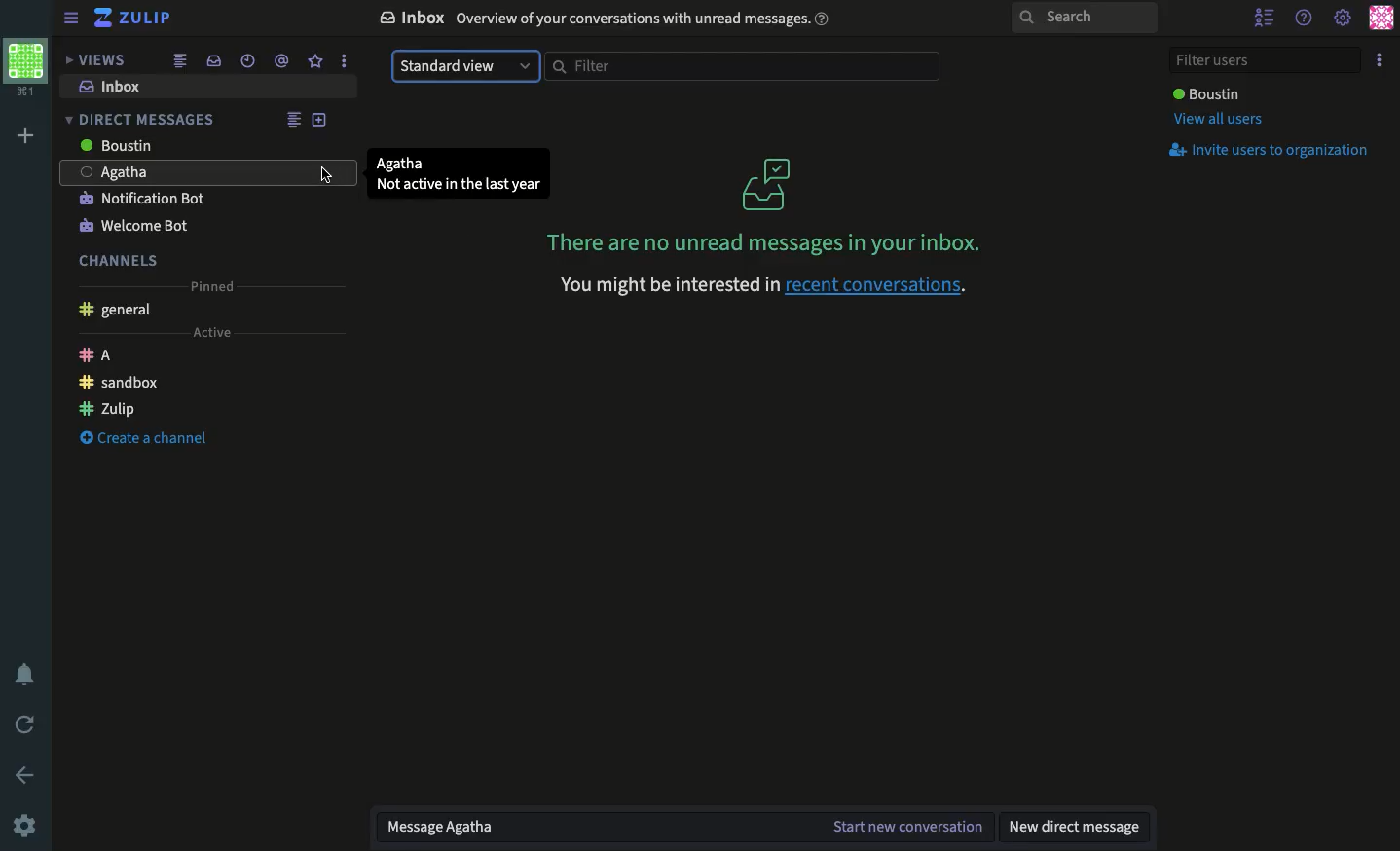 The height and width of the screenshot is (851, 1400). I want to click on No messages in inbox, so click(773, 243).